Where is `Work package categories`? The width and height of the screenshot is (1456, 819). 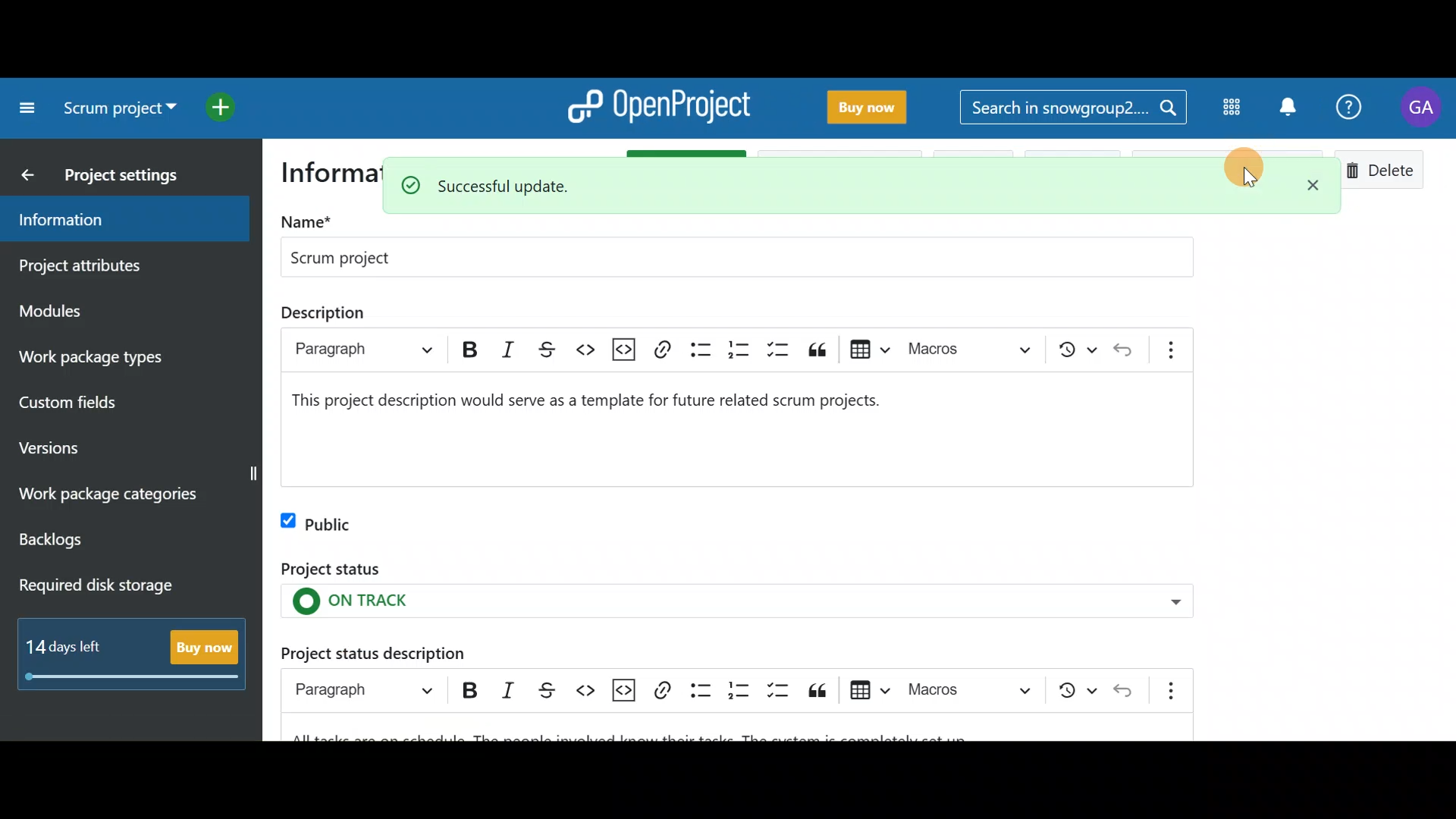
Work package categories is located at coordinates (130, 494).